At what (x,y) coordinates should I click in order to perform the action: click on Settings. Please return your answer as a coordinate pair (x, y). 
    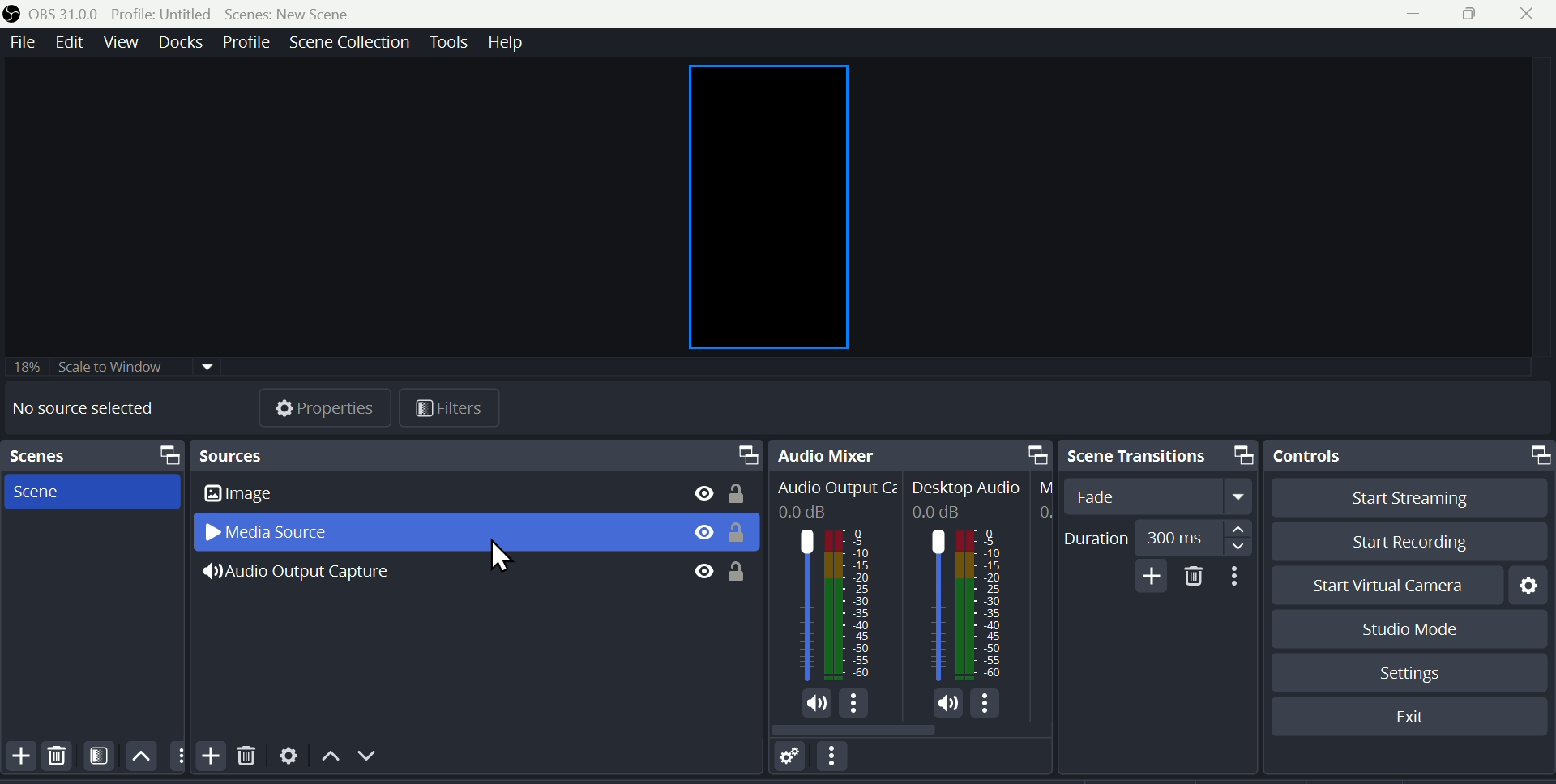
    Looking at the image, I should click on (791, 760).